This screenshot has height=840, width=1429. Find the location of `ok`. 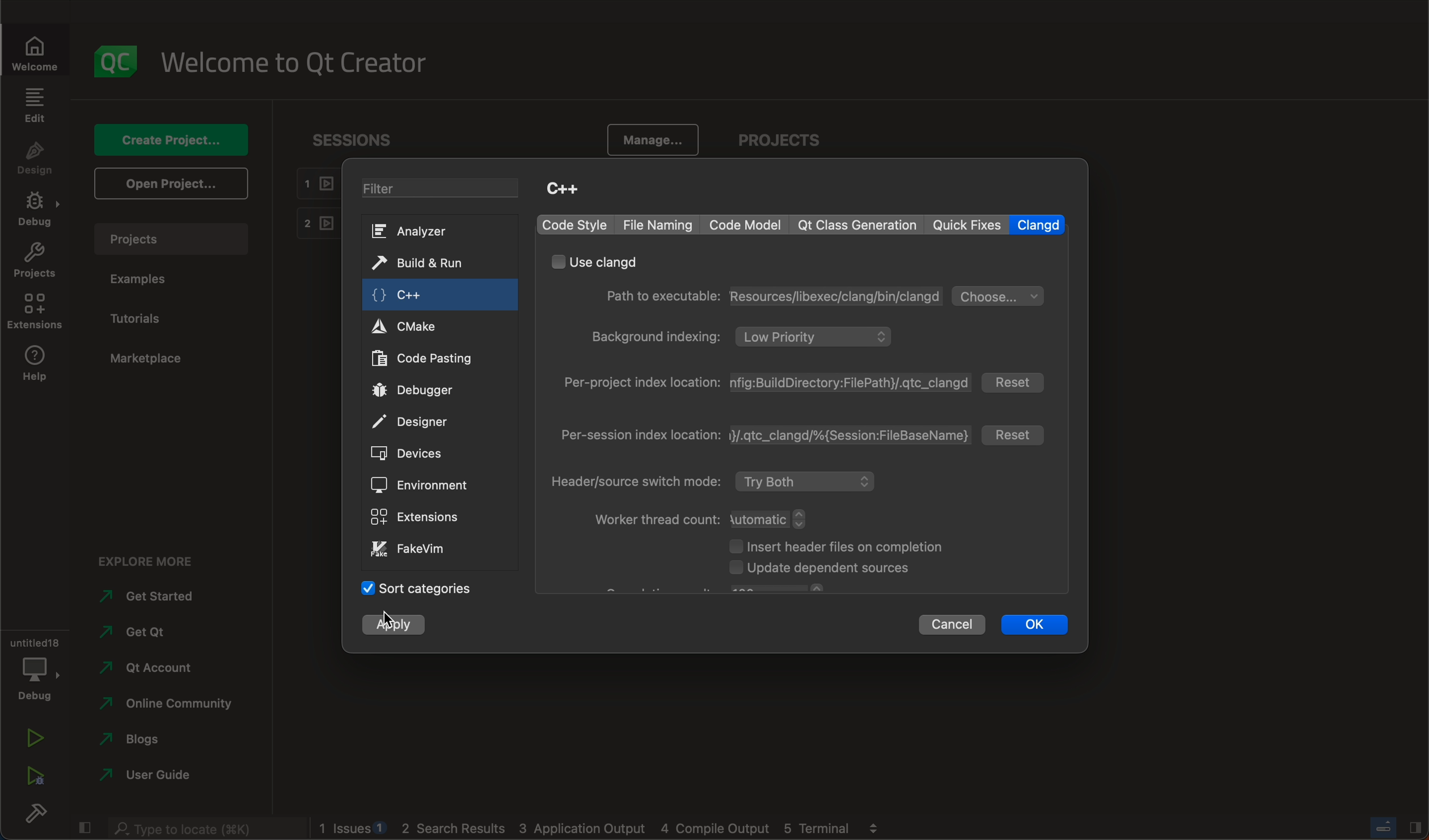

ok is located at coordinates (1035, 625).